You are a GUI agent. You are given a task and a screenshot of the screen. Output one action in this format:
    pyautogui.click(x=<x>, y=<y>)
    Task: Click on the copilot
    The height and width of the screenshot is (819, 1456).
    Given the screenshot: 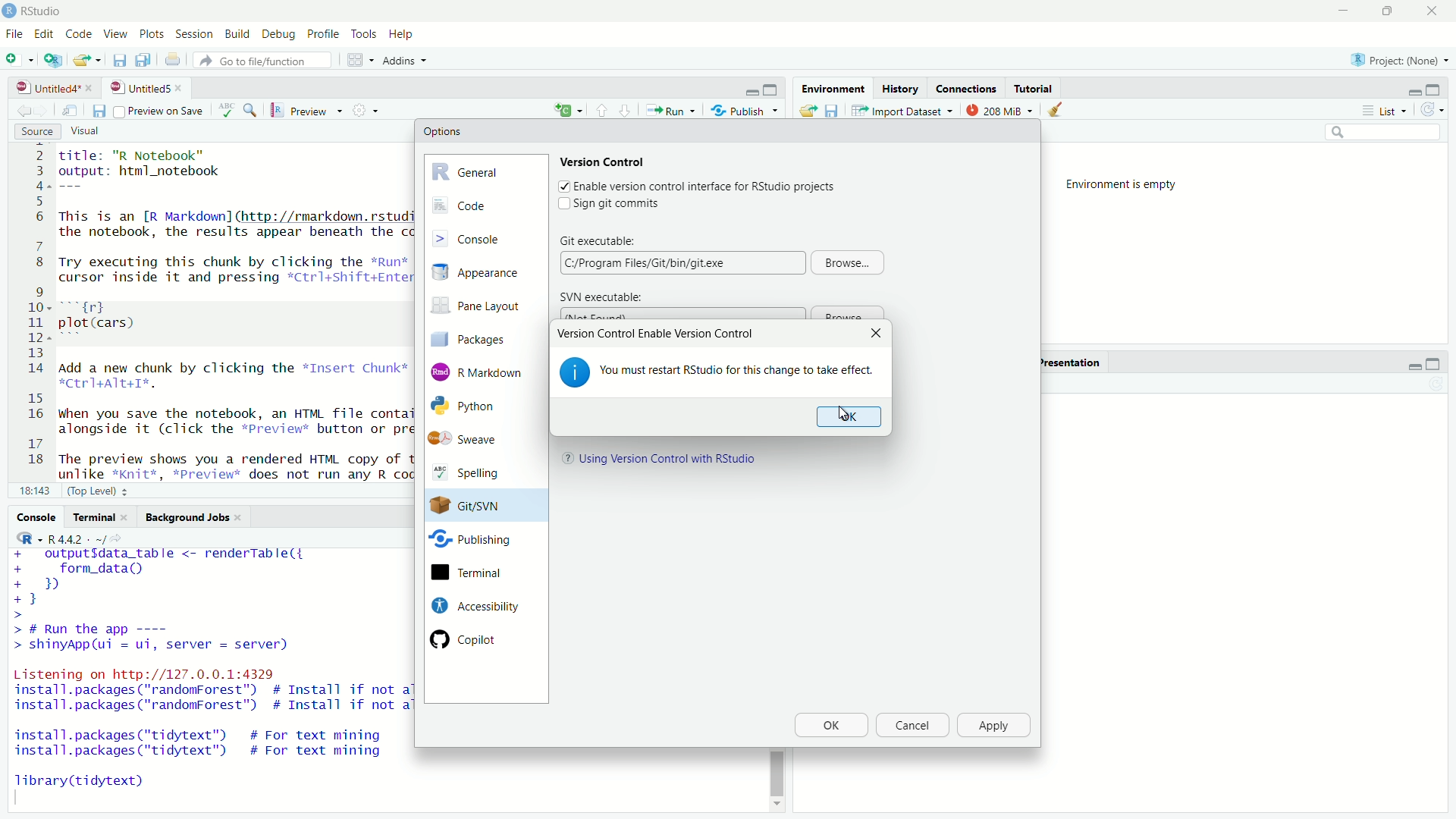 What is the action you would take?
    pyautogui.click(x=476, y=639)
    